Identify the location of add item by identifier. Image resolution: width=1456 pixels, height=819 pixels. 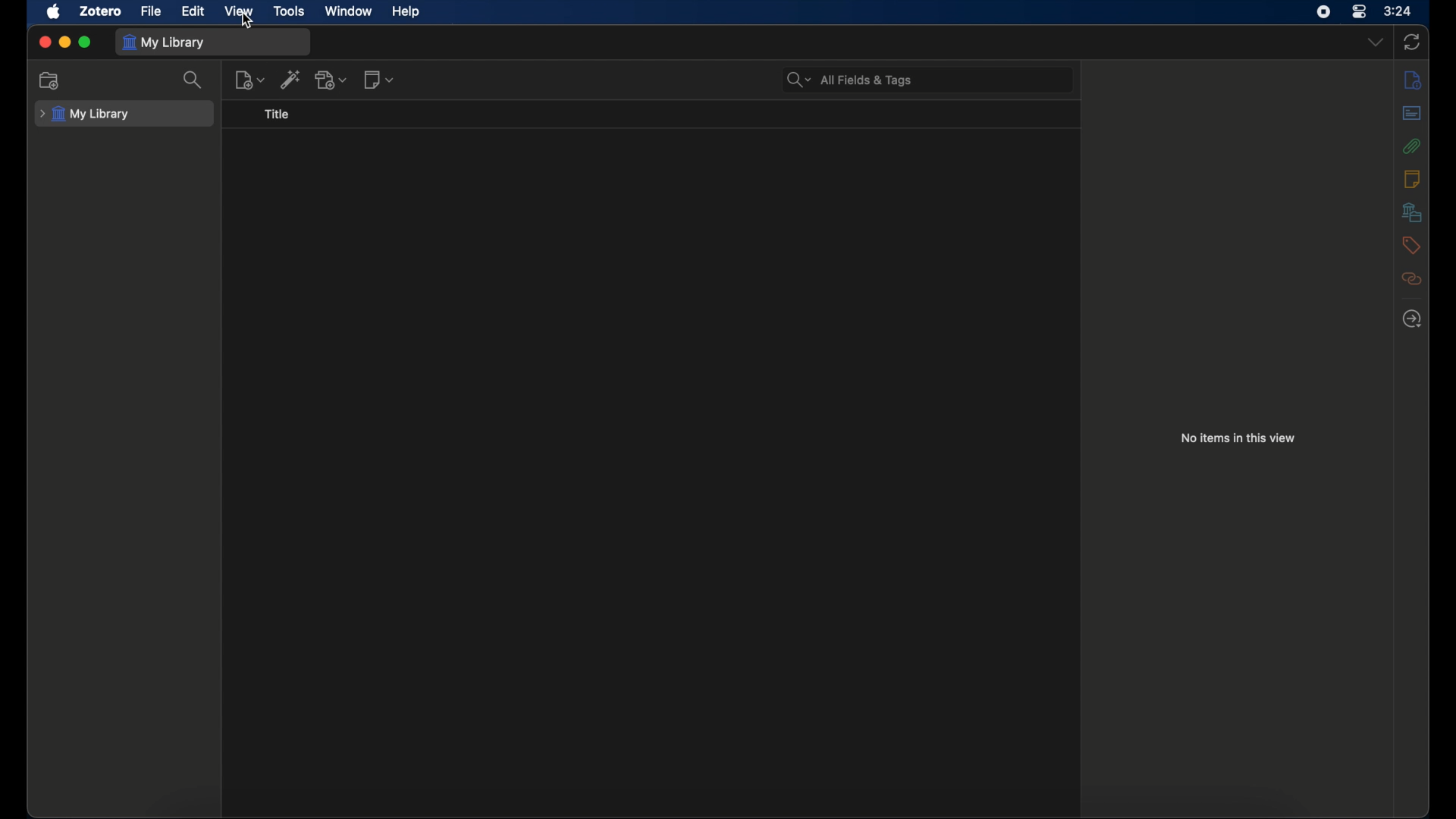
(290, 80).